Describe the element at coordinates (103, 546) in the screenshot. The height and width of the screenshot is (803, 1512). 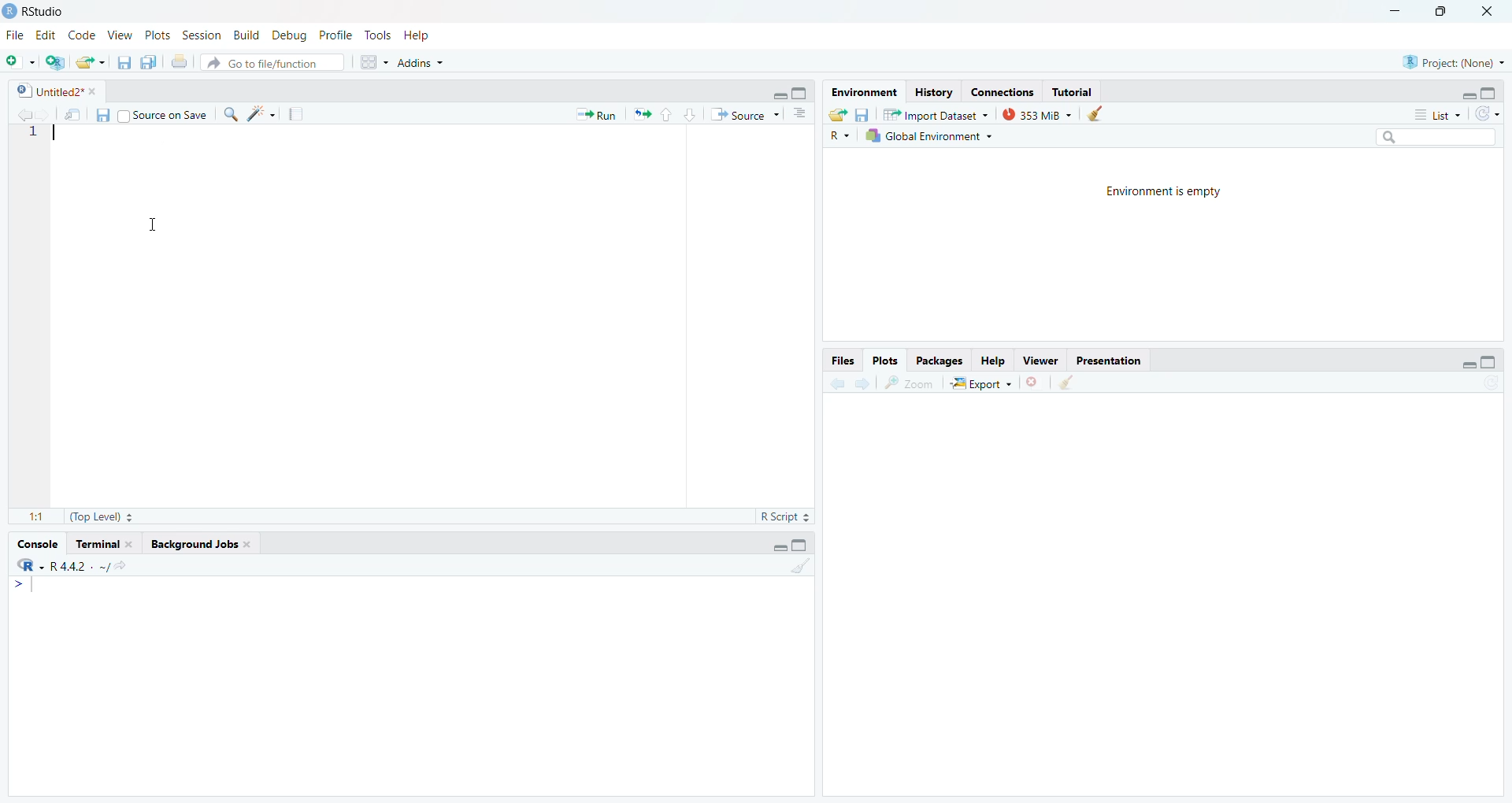
I see `Terminal` at that location.